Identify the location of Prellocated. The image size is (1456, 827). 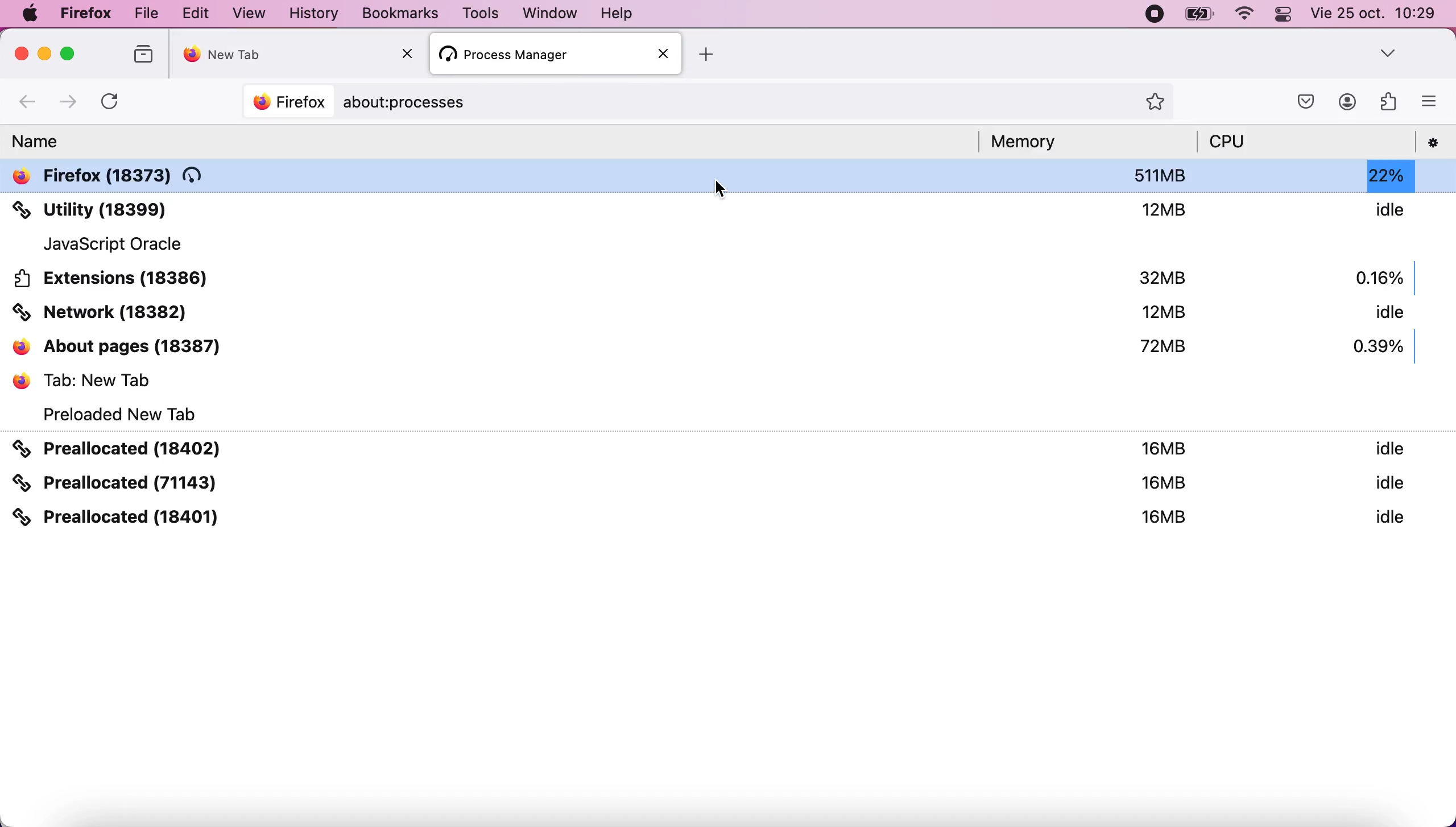
(729, 482).